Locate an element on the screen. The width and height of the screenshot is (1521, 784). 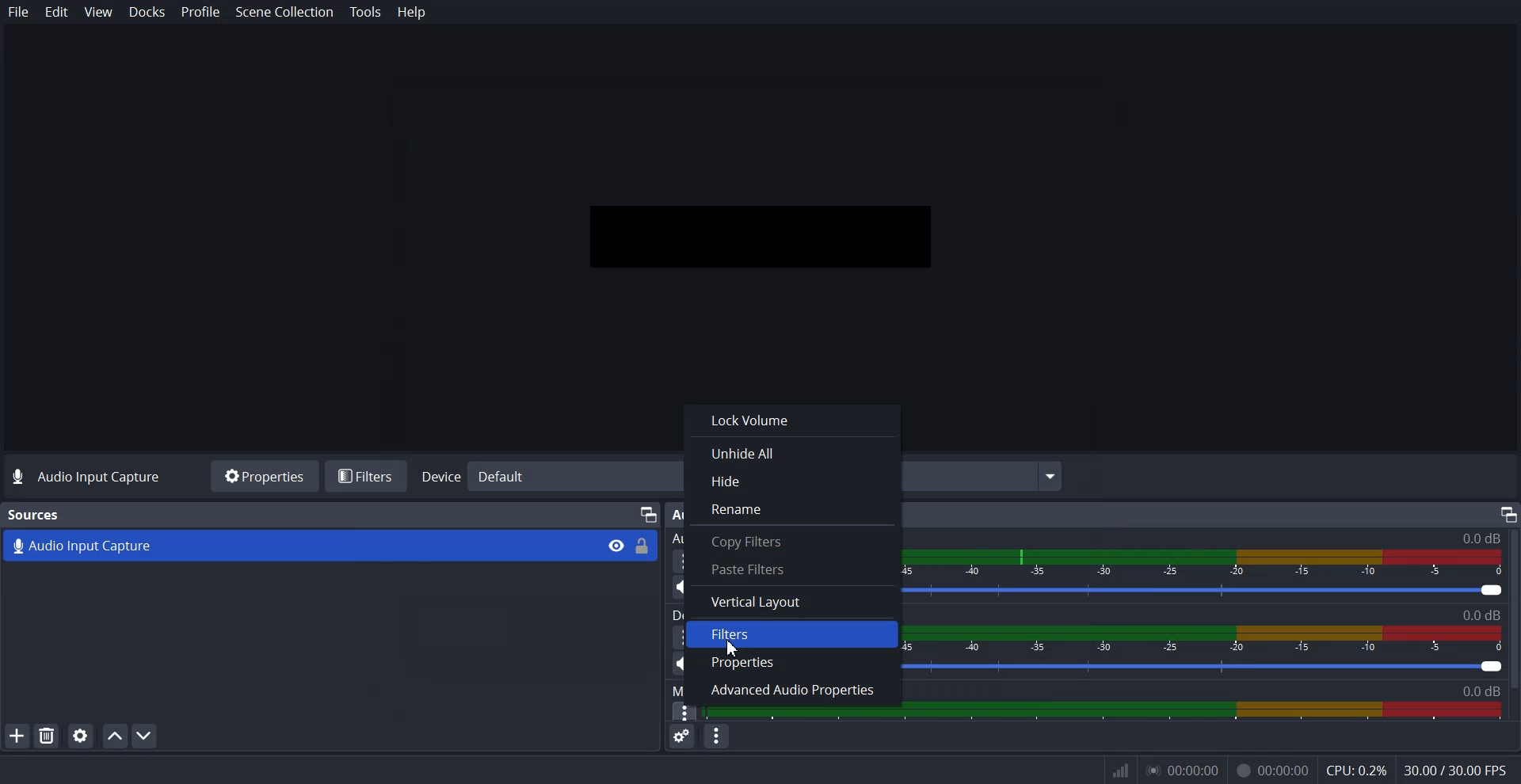
Properties is located at coordinates (793, 664).